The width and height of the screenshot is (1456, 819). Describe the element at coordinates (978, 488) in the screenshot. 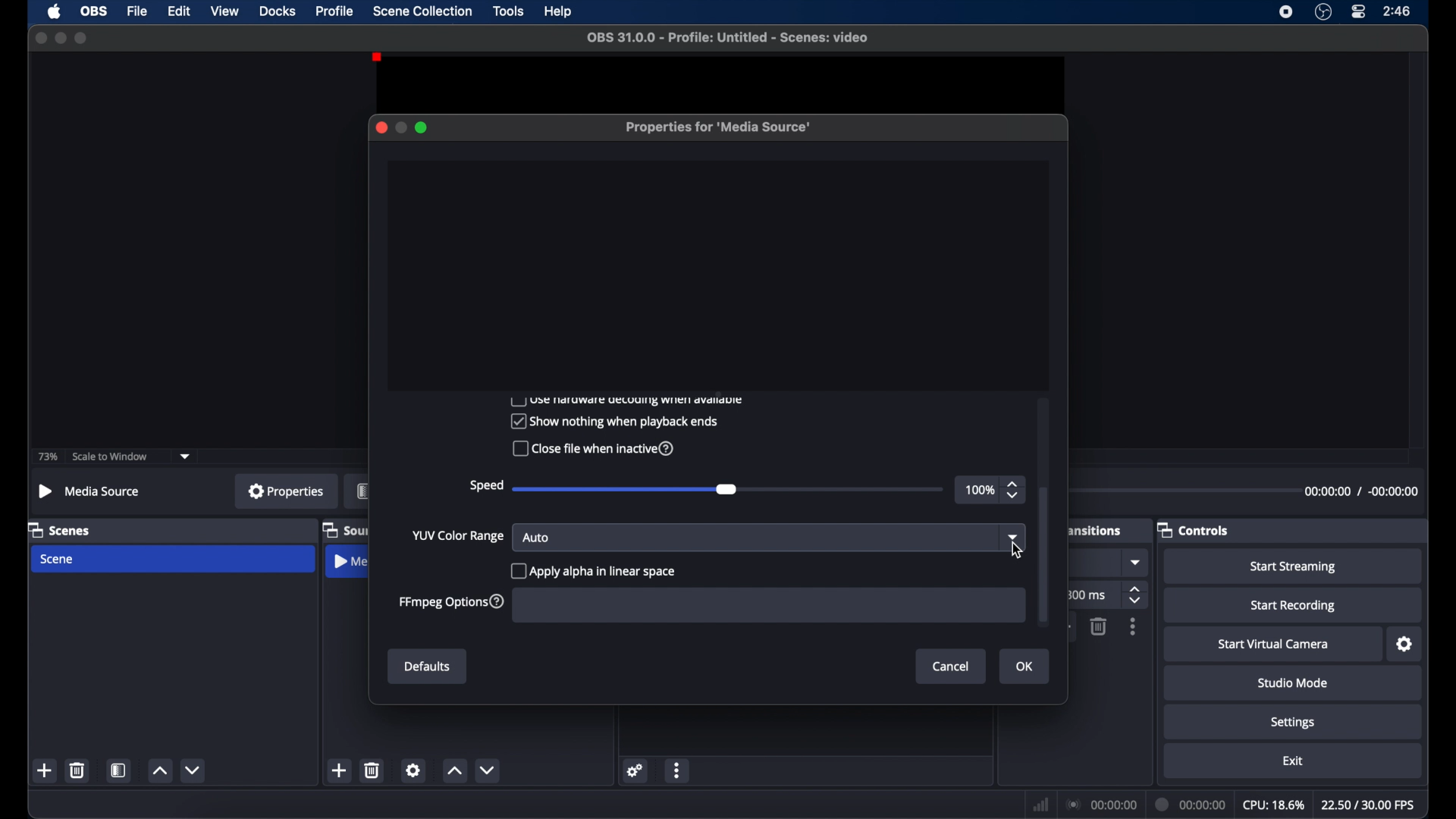

I see `100%` at that location.